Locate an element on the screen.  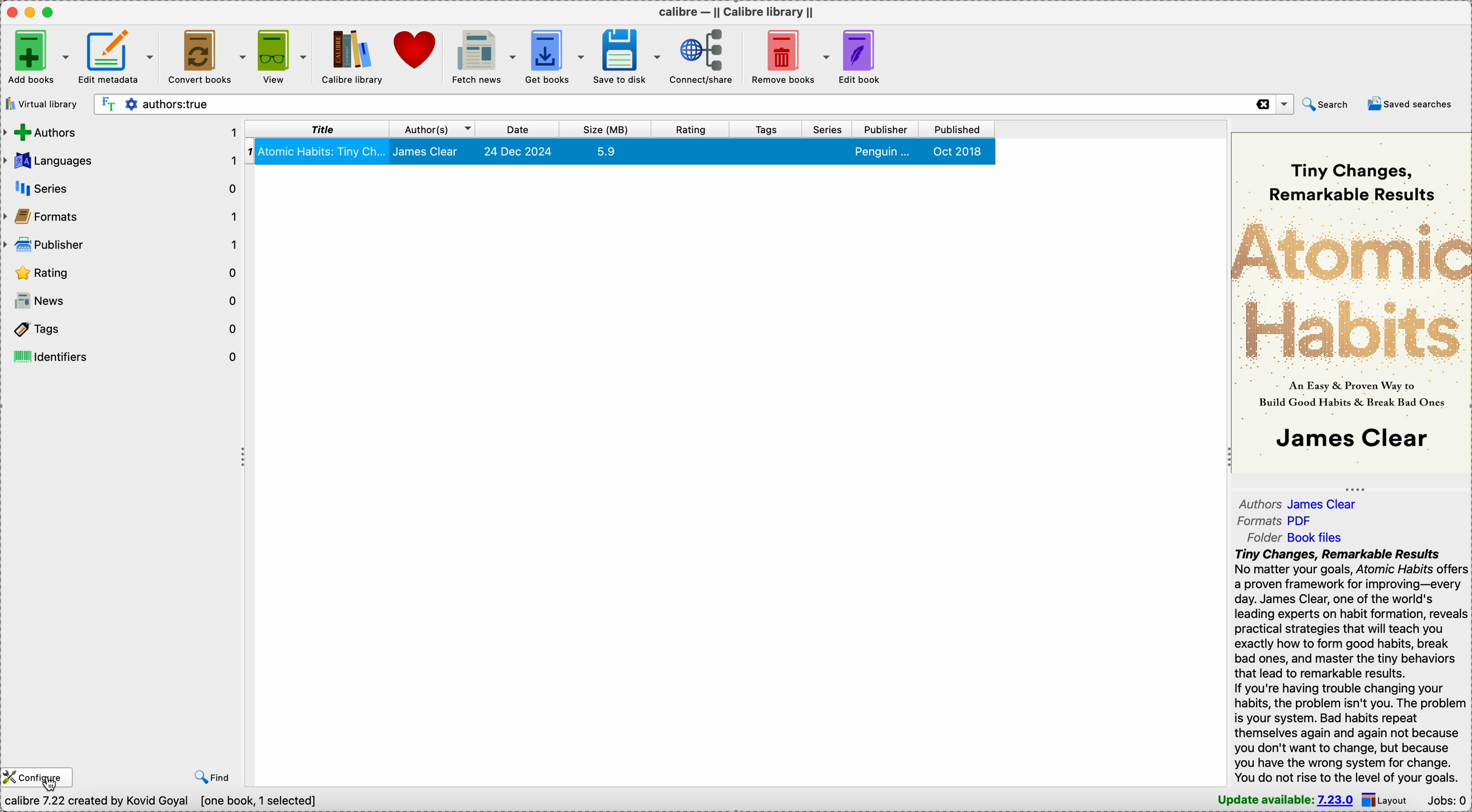
tags is located at coordinates (765, 129).